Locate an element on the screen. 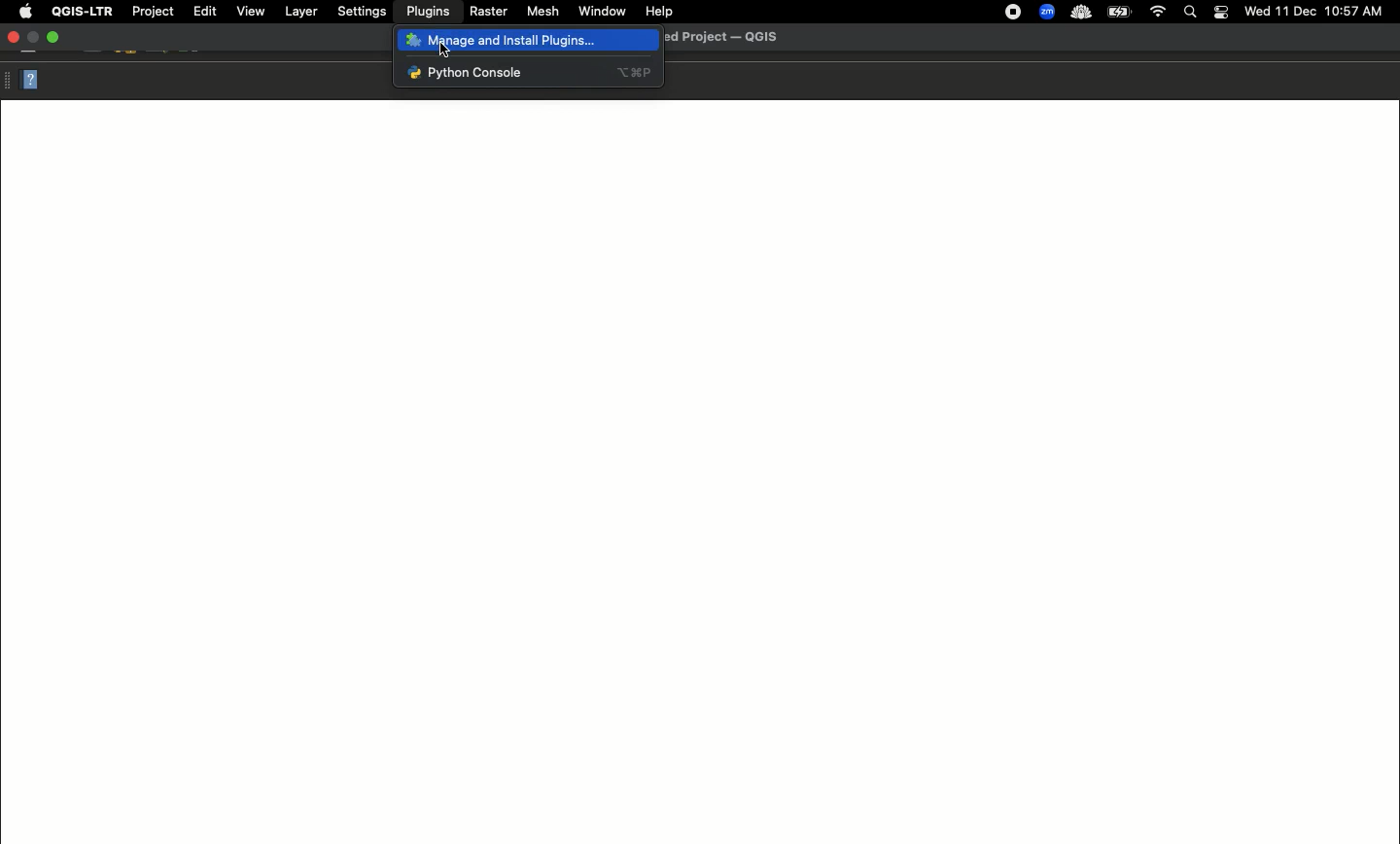  Python console is located at coordinates (525, 73).